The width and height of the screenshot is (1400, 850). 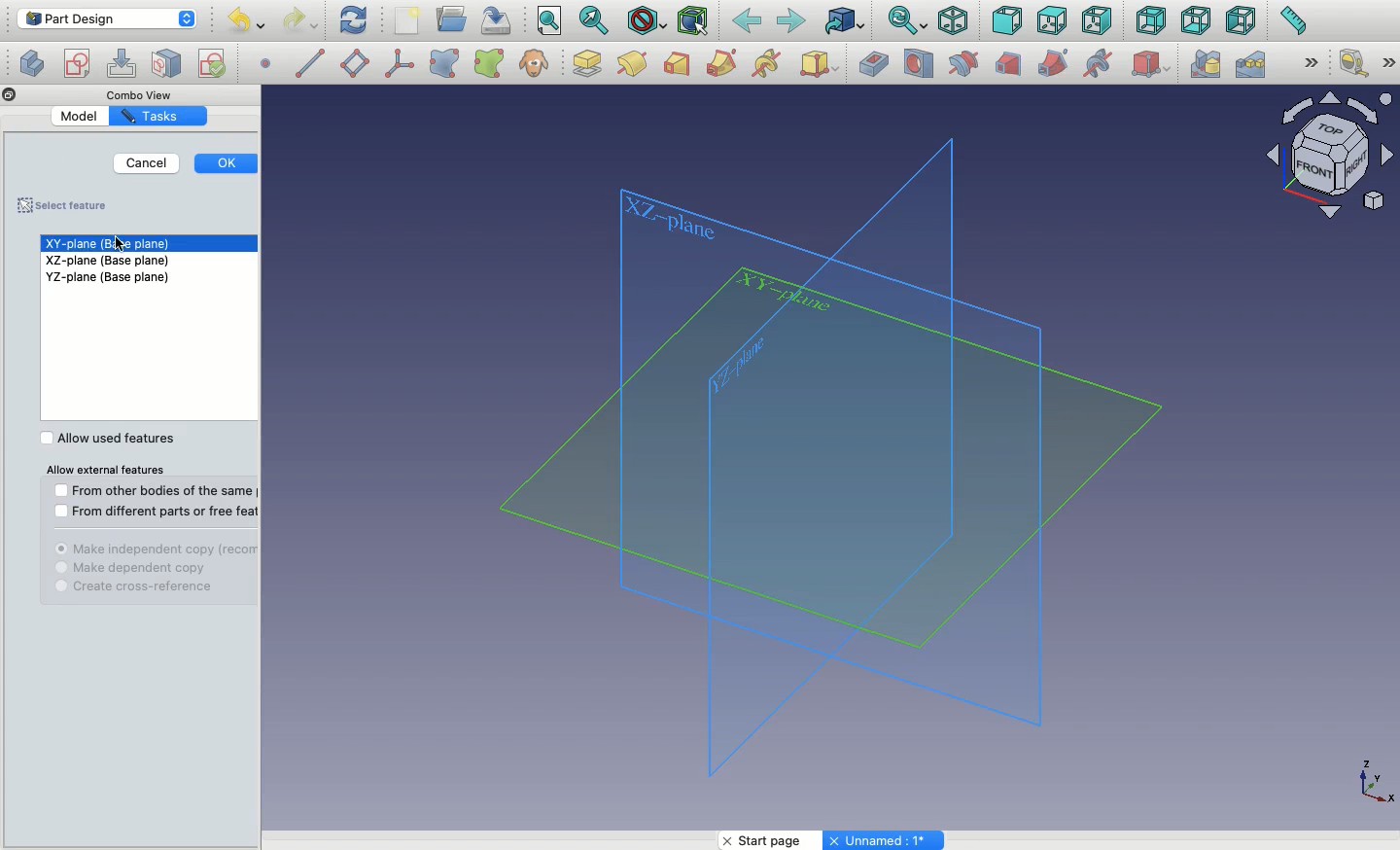 What do you see at coordinates (1054, 62) in the screenshot?
I see `Subtractive pipe` at bounding box center [1054, 62].